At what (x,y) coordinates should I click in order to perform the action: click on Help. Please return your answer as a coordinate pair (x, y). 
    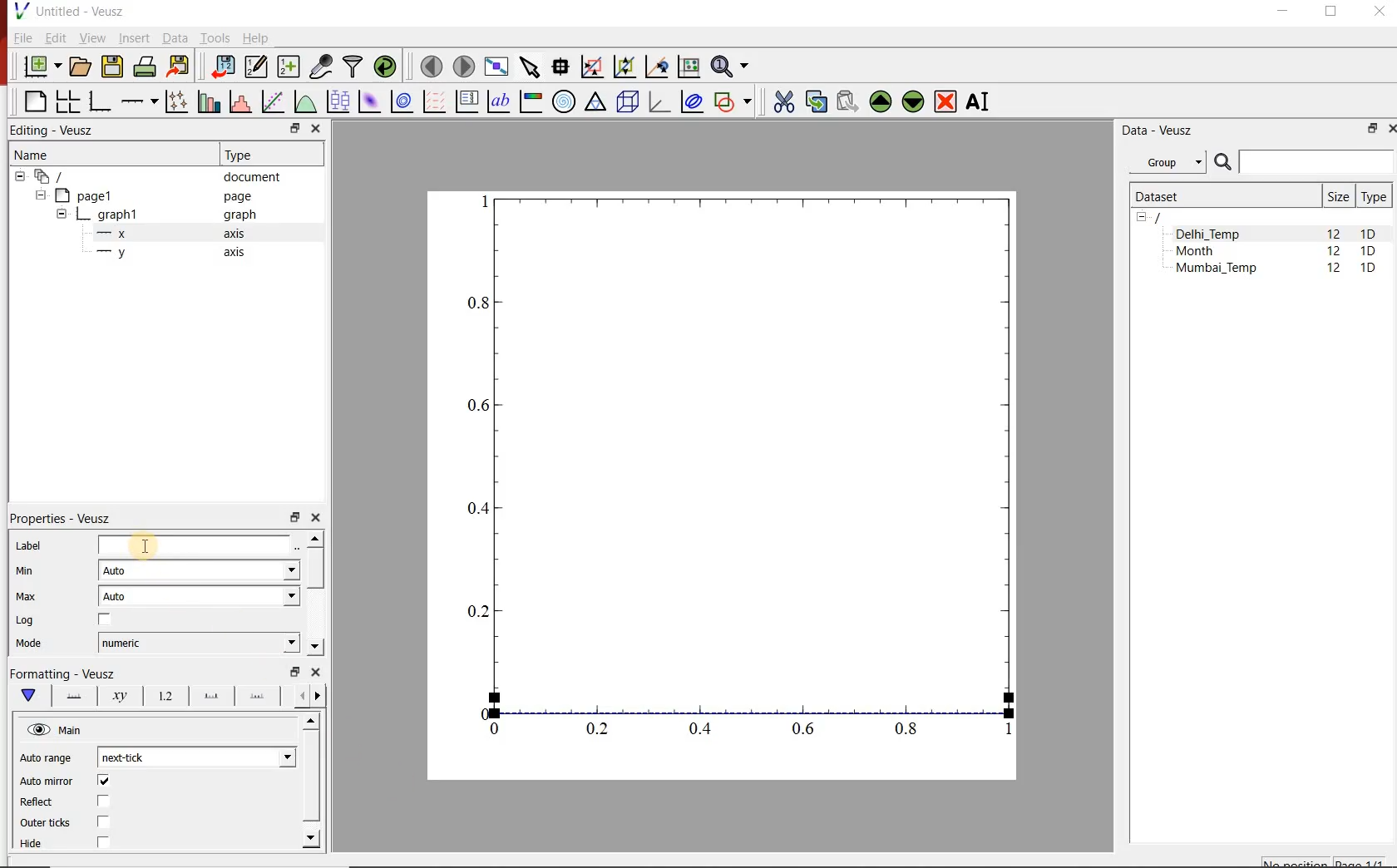
    Looking at the image, I should click on (256, 37).